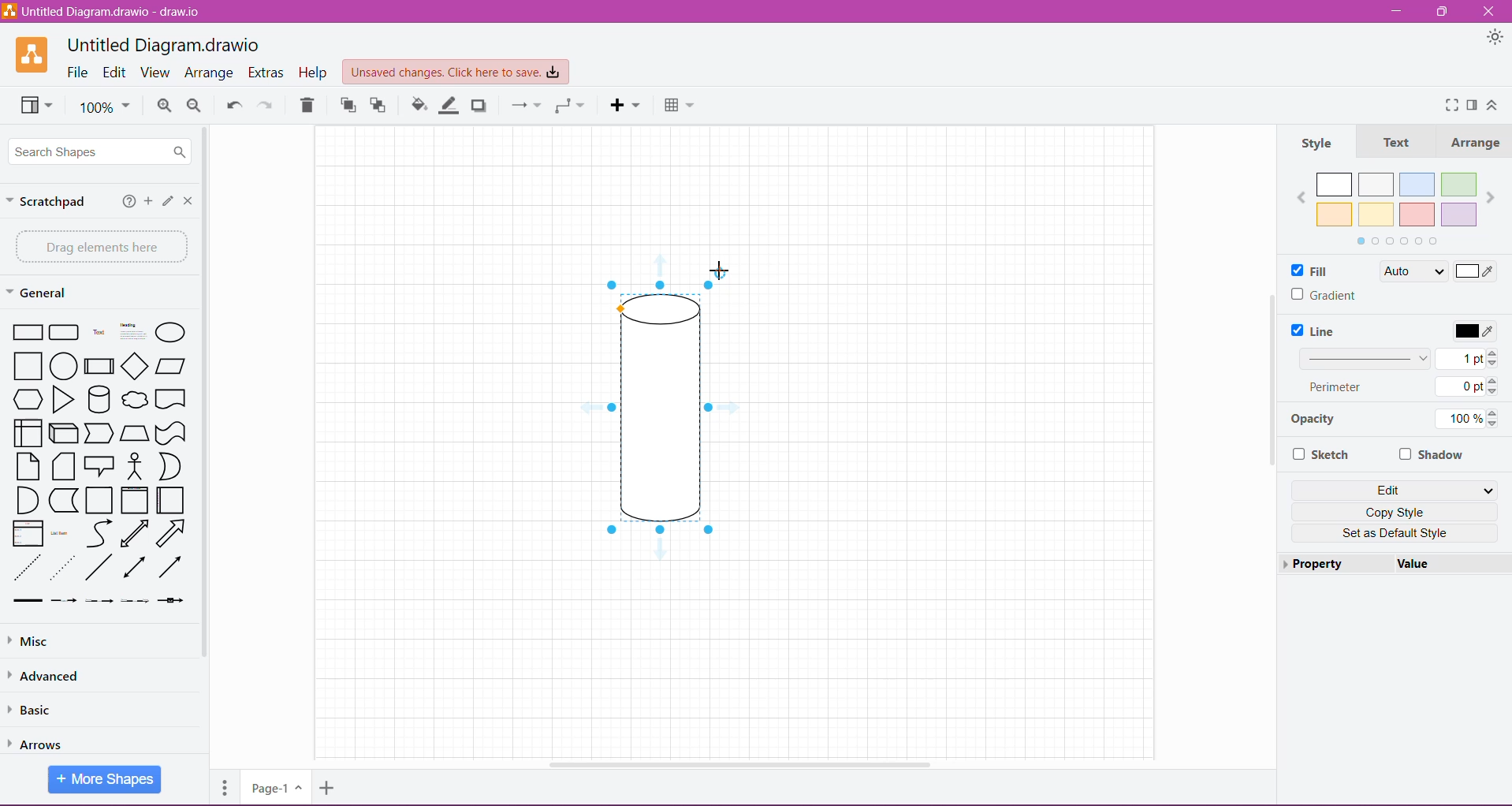 This screenshot has width=1512, height=806. What do you see at coordinates (1395, 206) in the screenshot?
I see `Fill color palette` at bounding box center [1395, 206].